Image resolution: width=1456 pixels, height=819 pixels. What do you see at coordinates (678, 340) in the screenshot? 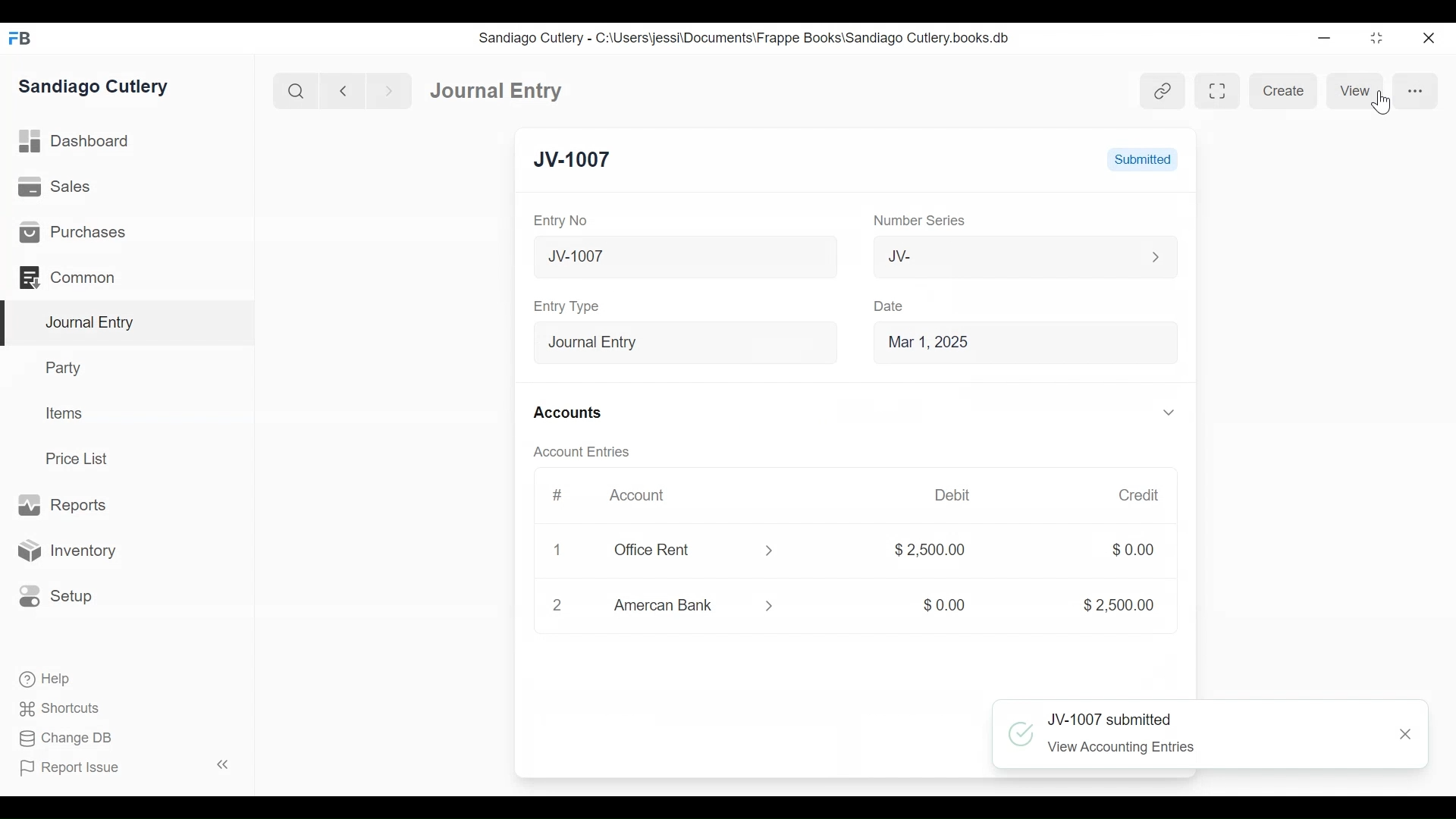
I see `Entry Type` at bounding box center [678, 340].